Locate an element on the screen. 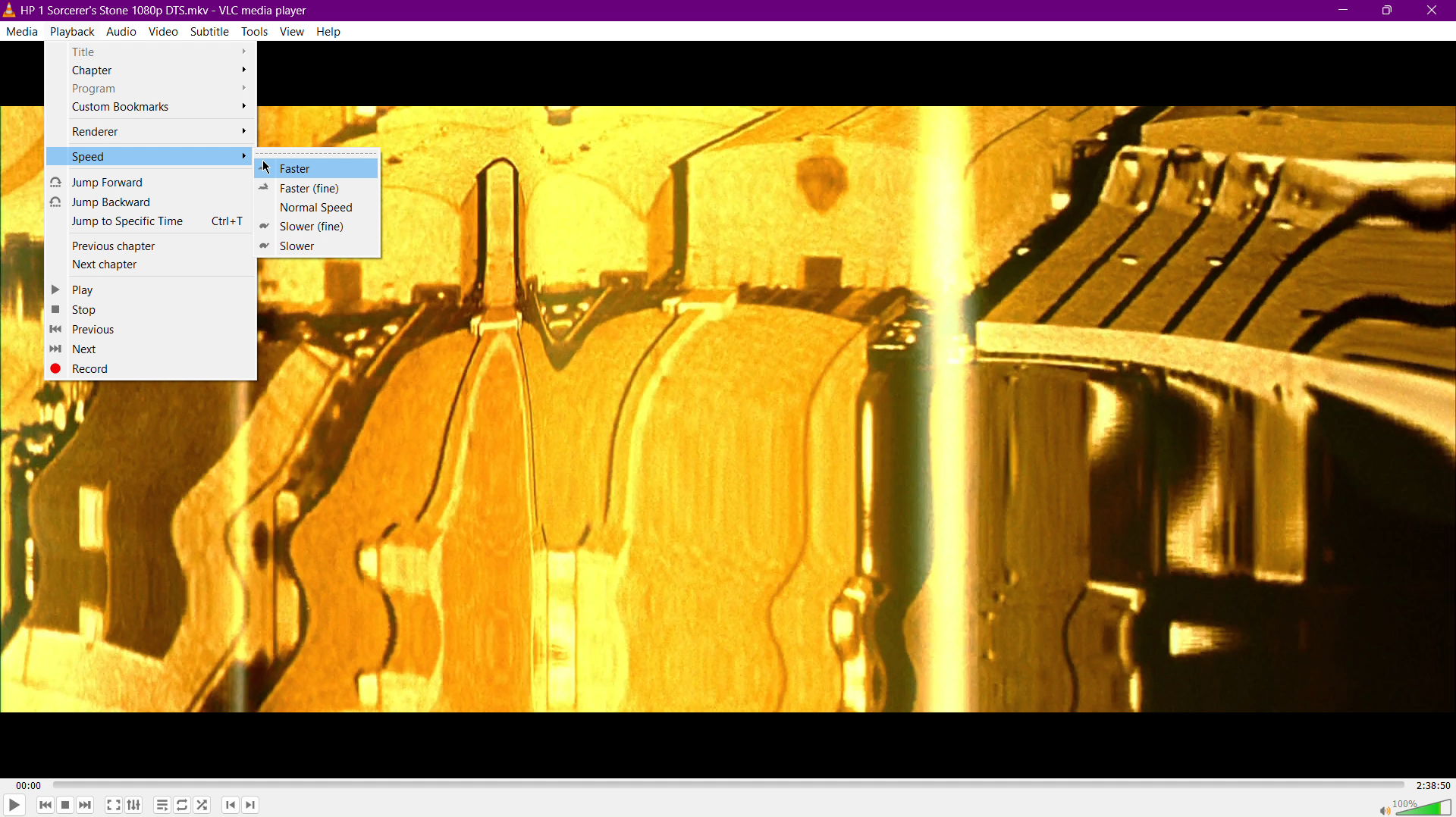 Image resolution: width=1456 pixels, height=817 pixels. Slower is located at coordinates (302, 246).